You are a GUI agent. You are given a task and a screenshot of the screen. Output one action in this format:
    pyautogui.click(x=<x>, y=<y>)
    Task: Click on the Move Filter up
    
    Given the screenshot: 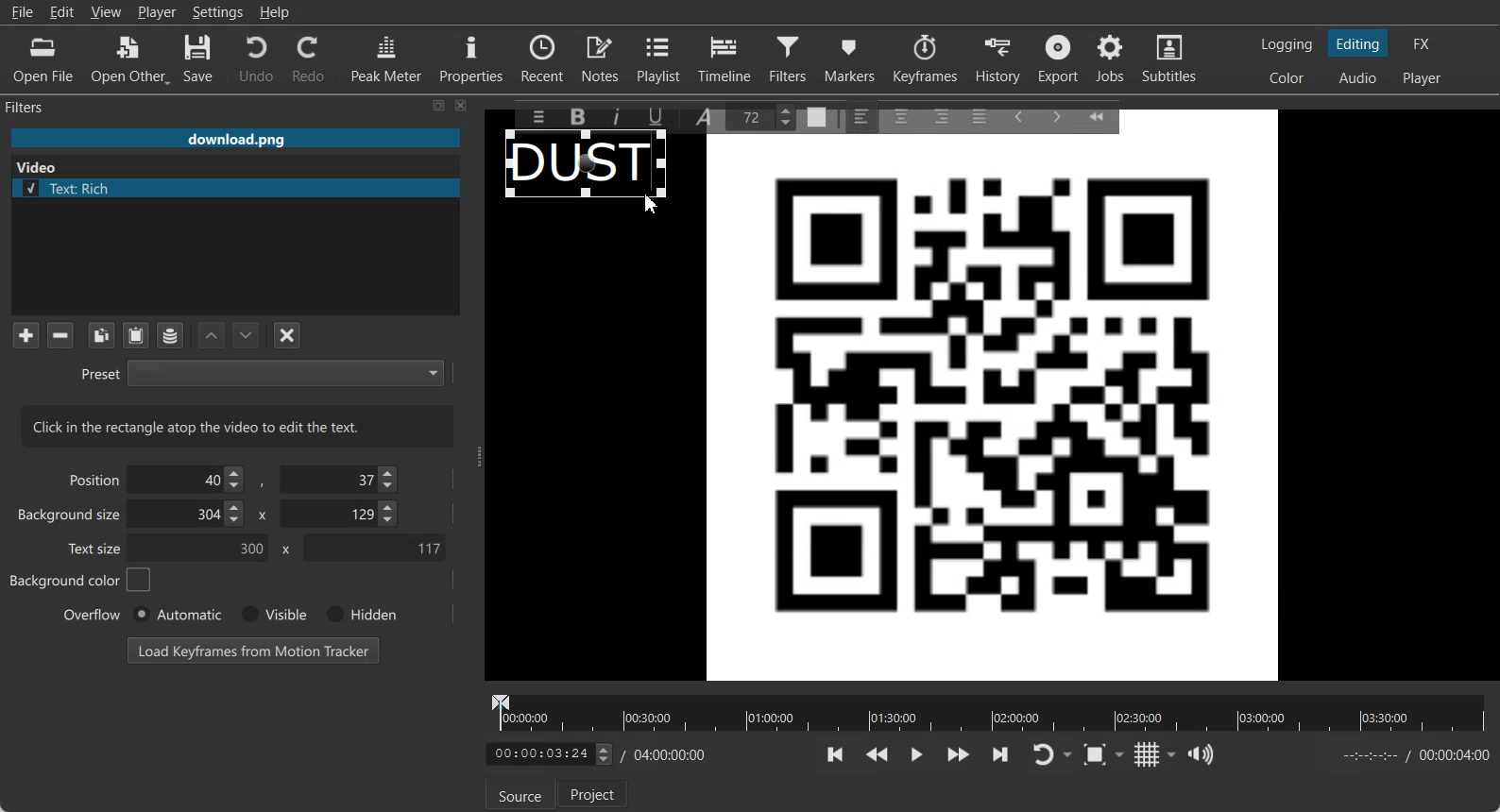 What is the action you would take?
    pyautogui.click(x=212, y=336)
    